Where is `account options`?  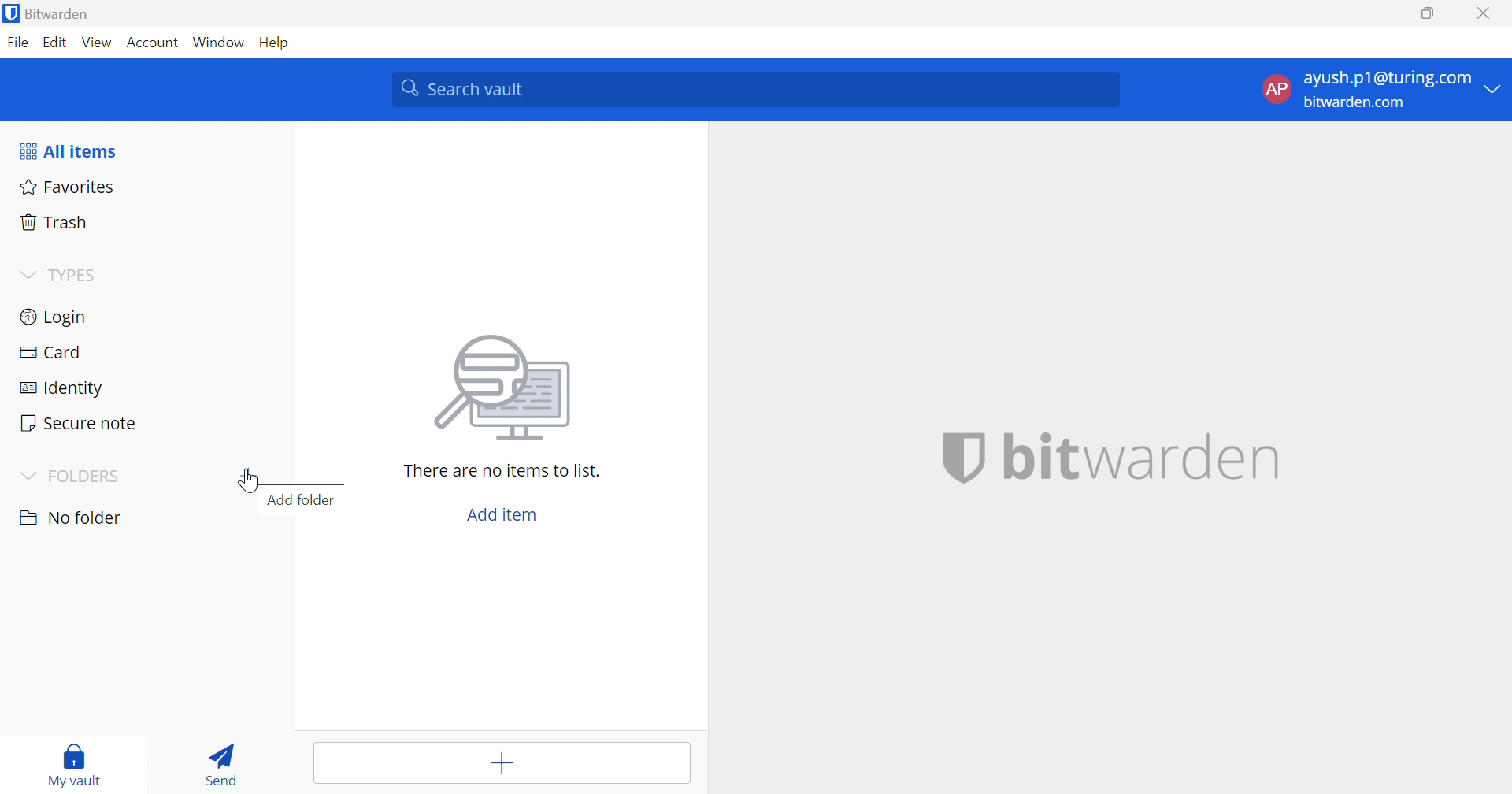
account options is located at coordinates (1381, 91).